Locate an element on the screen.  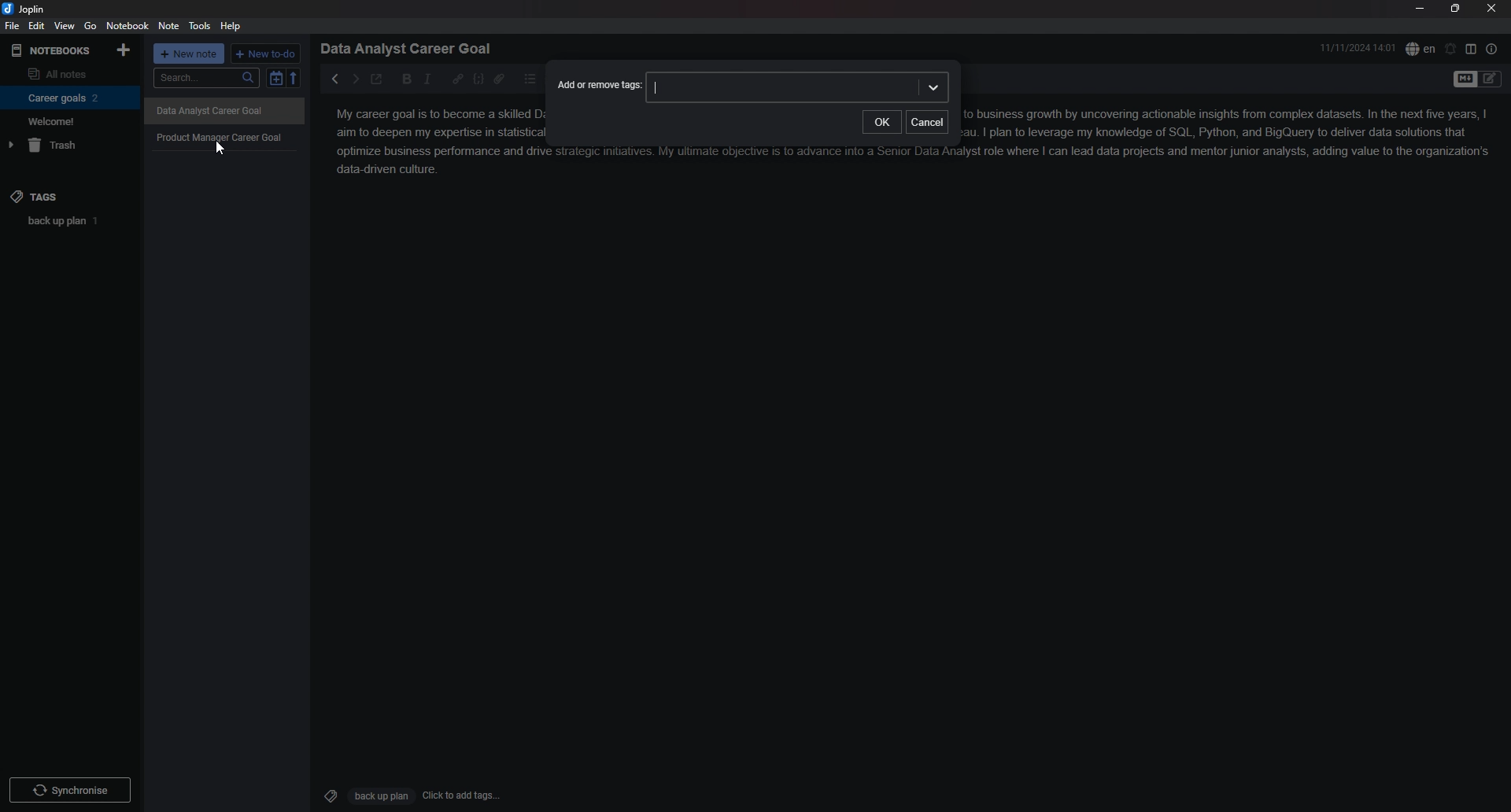
input box is located at coordinates (799, 87).